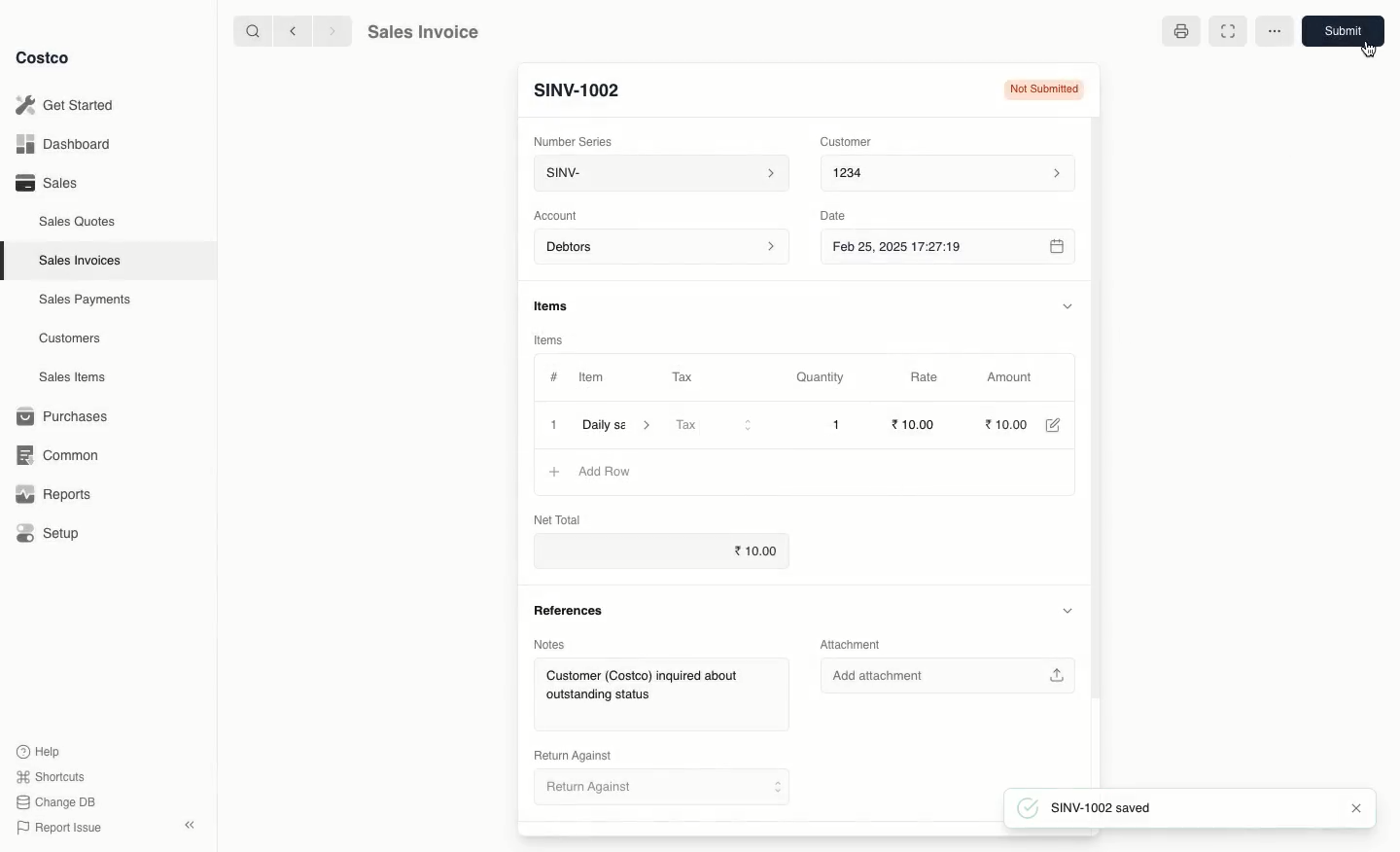 The width and height of the screenshot is (1400, 852). I want to click on Net Total, so click(553, 519).